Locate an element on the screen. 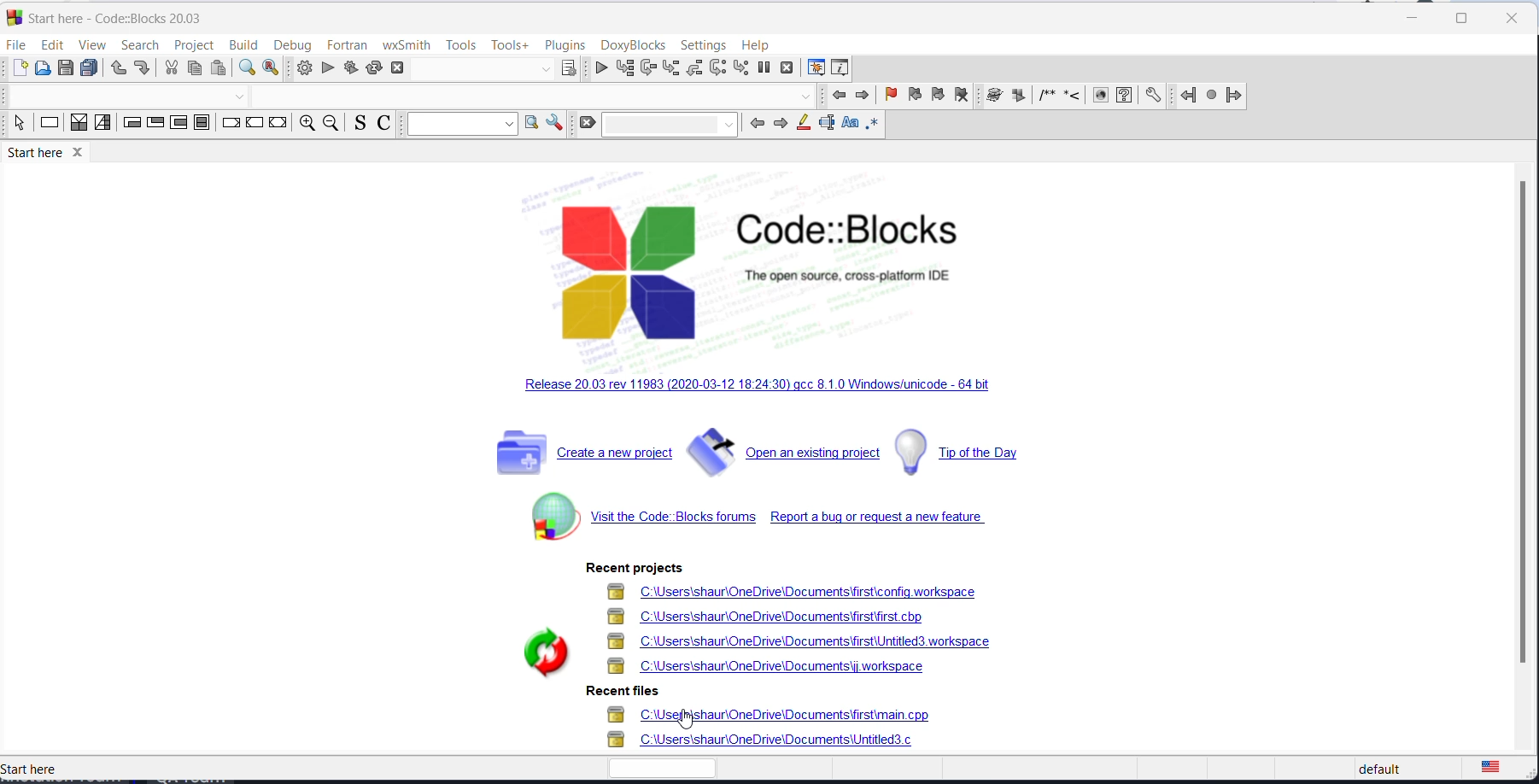 This screenshot has width=1539, height=784. counting loop is located at coordinates (178, 123).